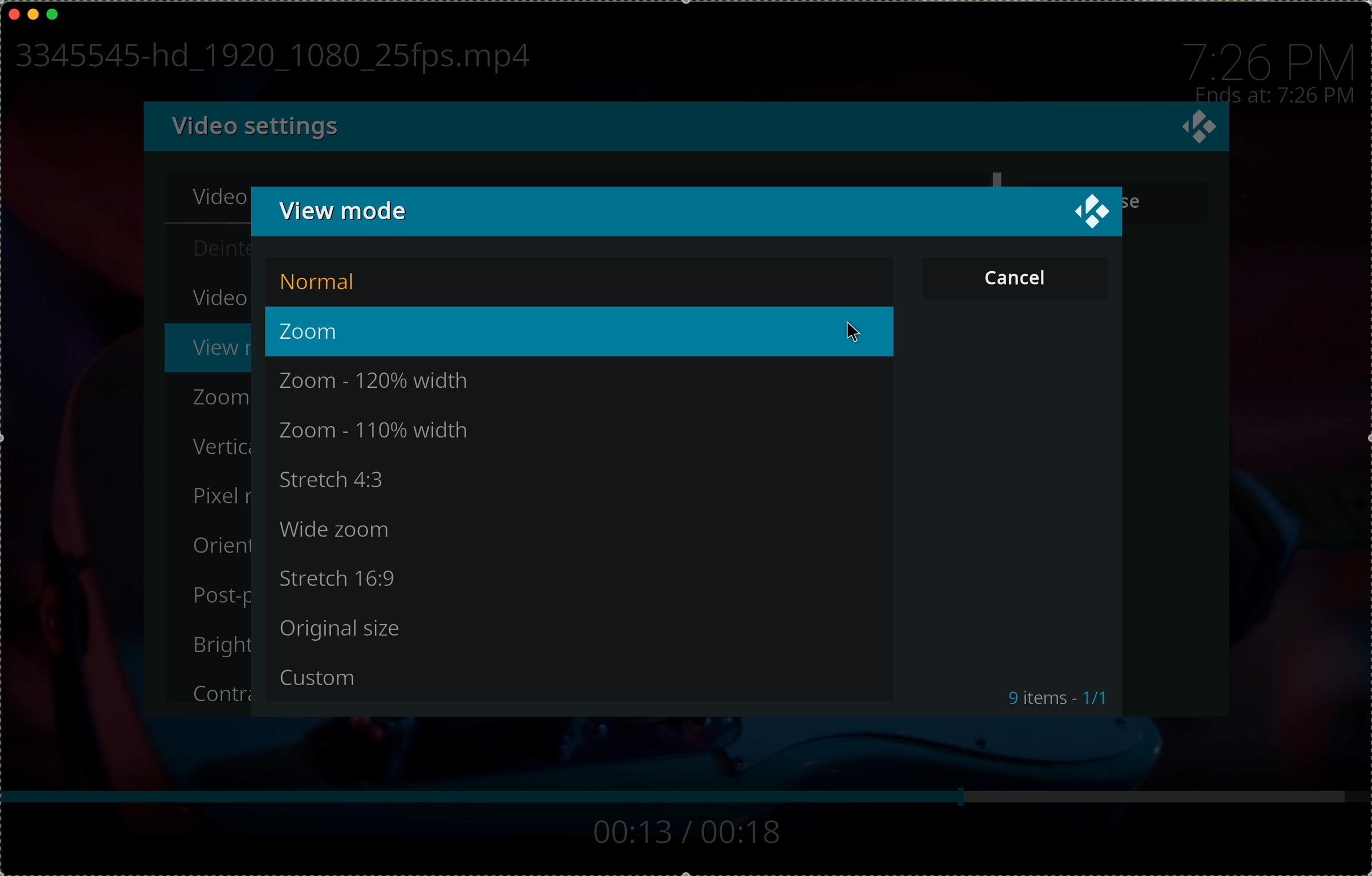 The image size is (1372, 876). What do you see at coordinates (333, 529) in the screenshot?
I see `wide zoom` at bounding box center [333, 529].